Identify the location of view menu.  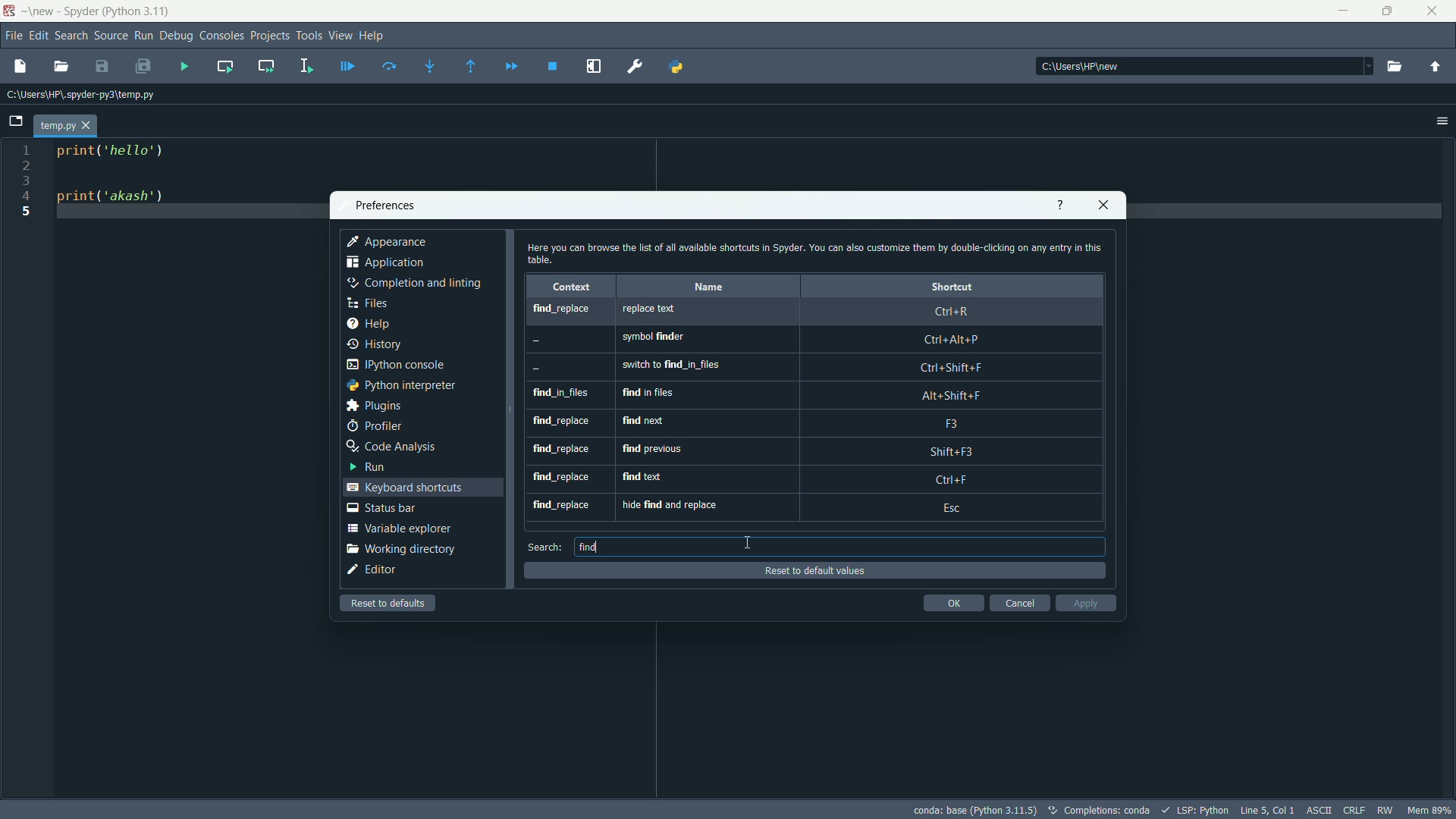
(341, 36).